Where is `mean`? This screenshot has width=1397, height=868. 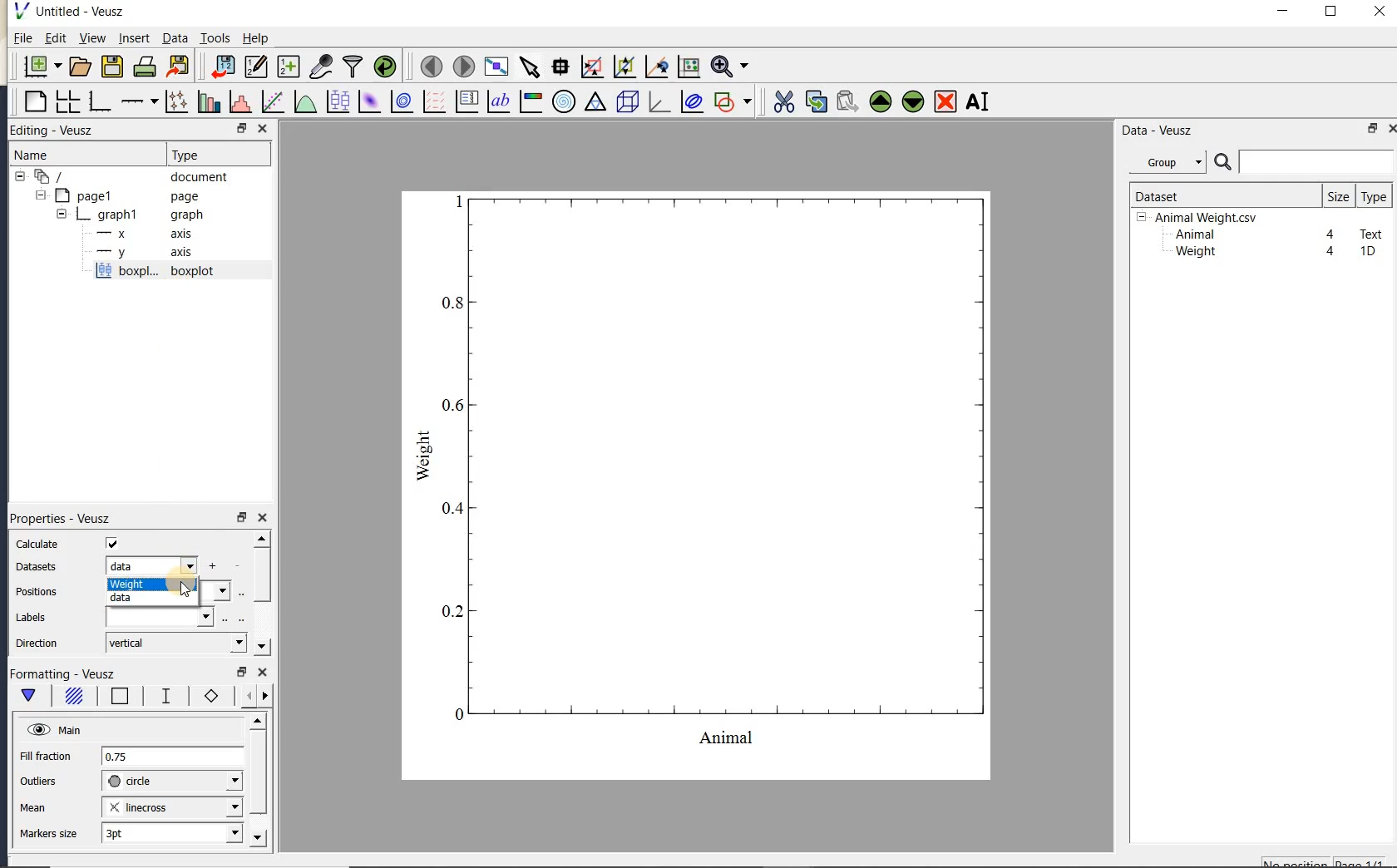 mean is located at coordinates (34, 806).